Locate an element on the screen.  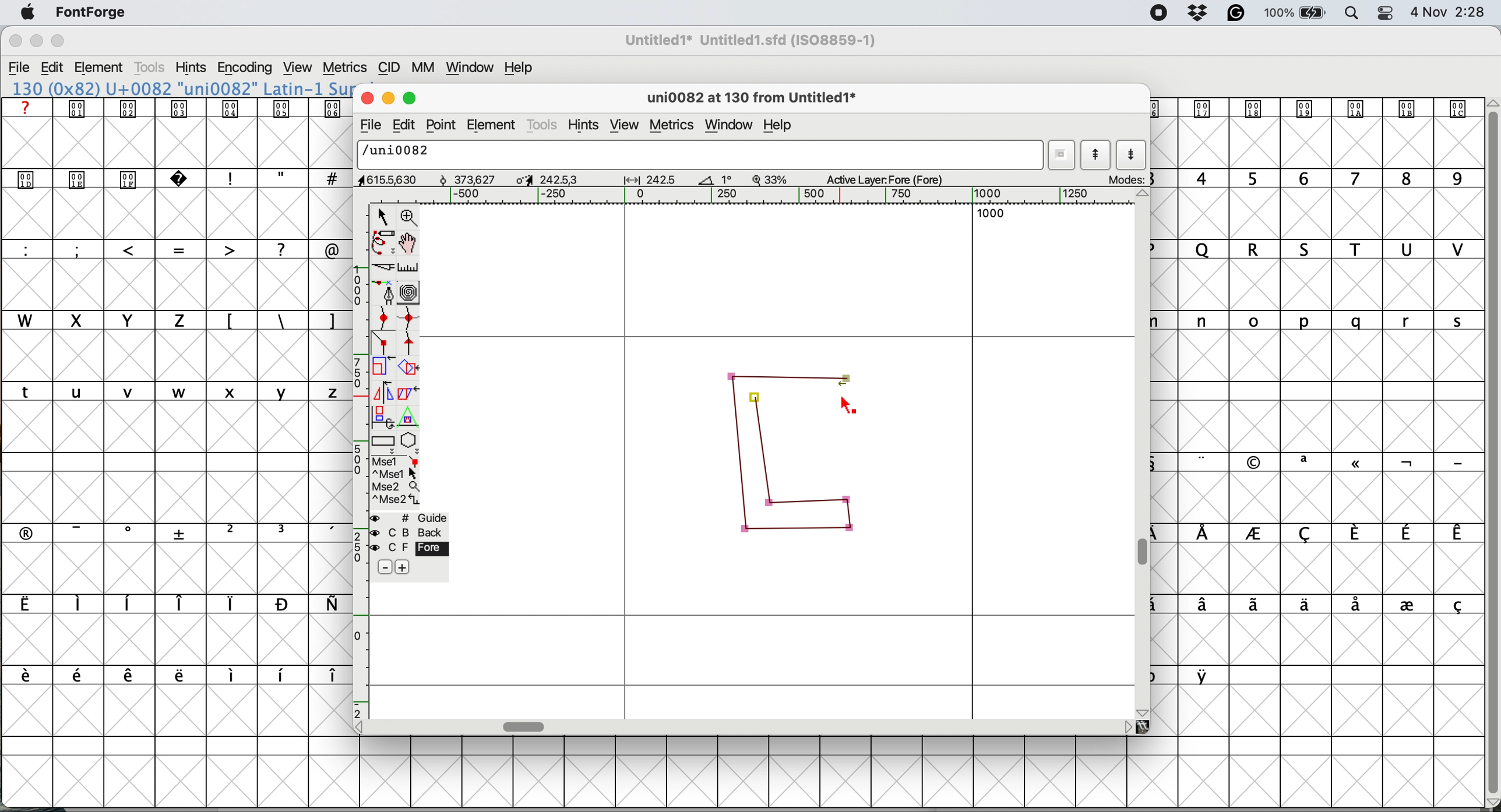
show previous letter is located at coordinates (1098, 154).